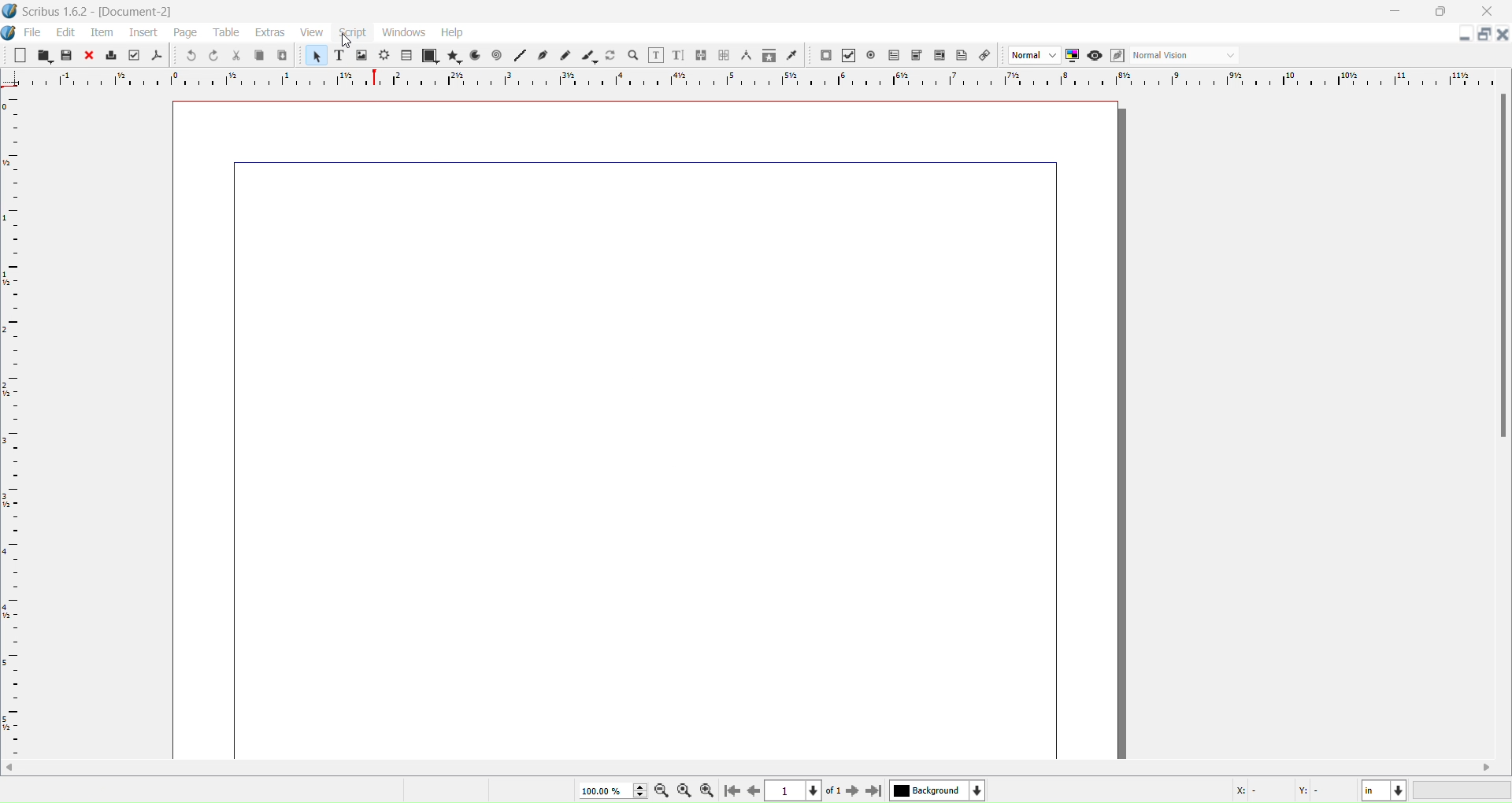  I want to click on Select the current page, so click(802, 791).